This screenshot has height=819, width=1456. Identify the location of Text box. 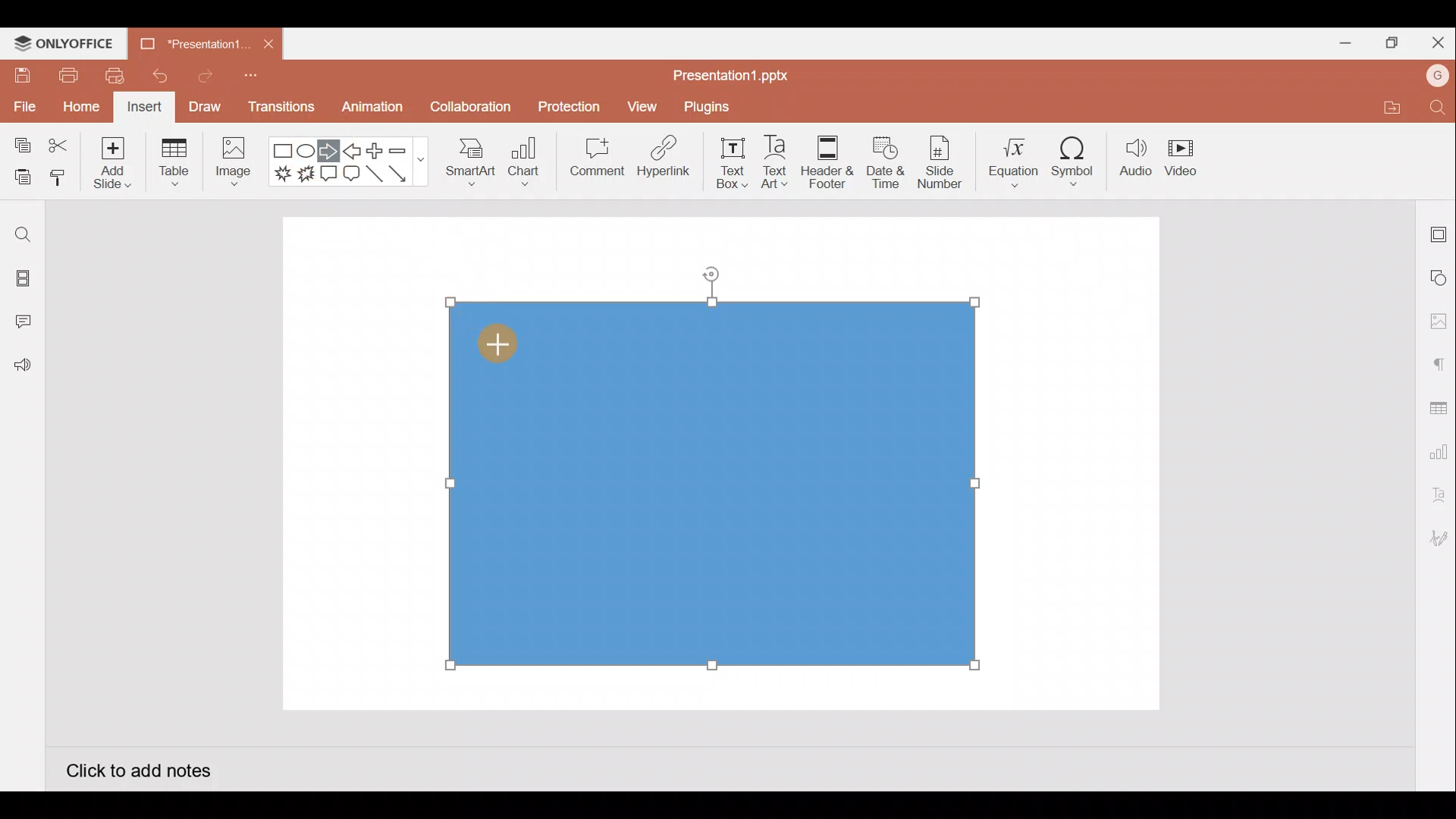
(733, 163).